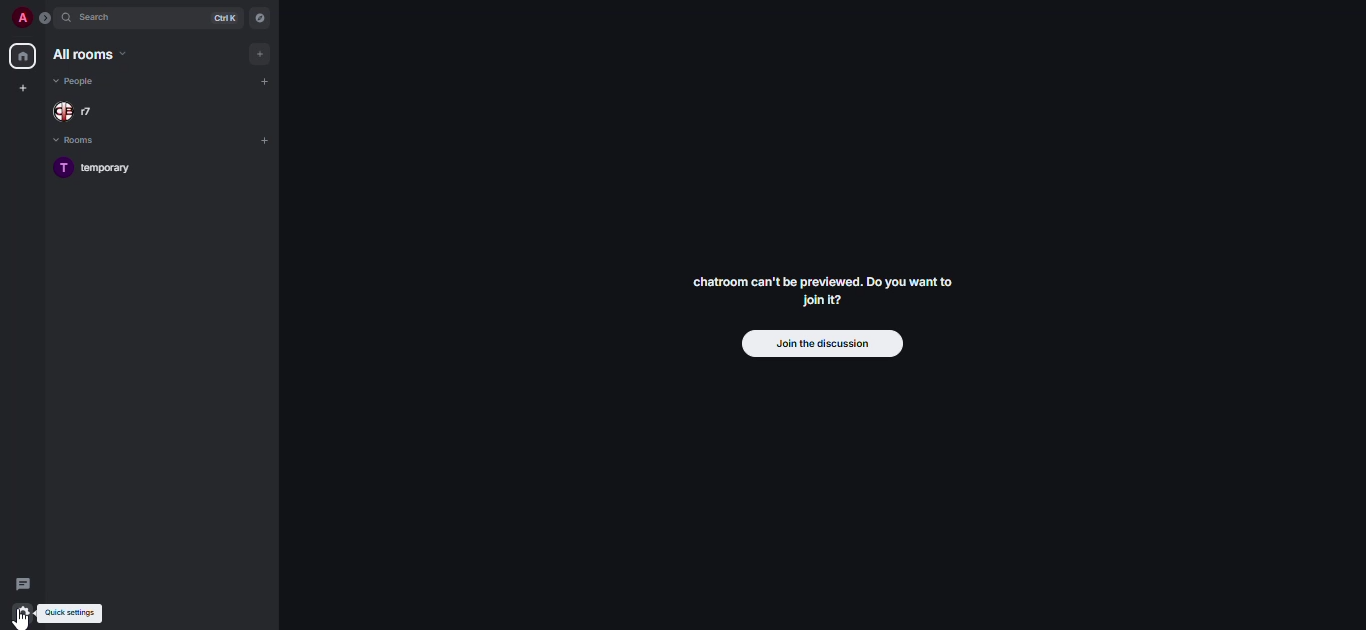  Describe the element at coordinates (23, 56) in the screenshot. I see `home` at that location.